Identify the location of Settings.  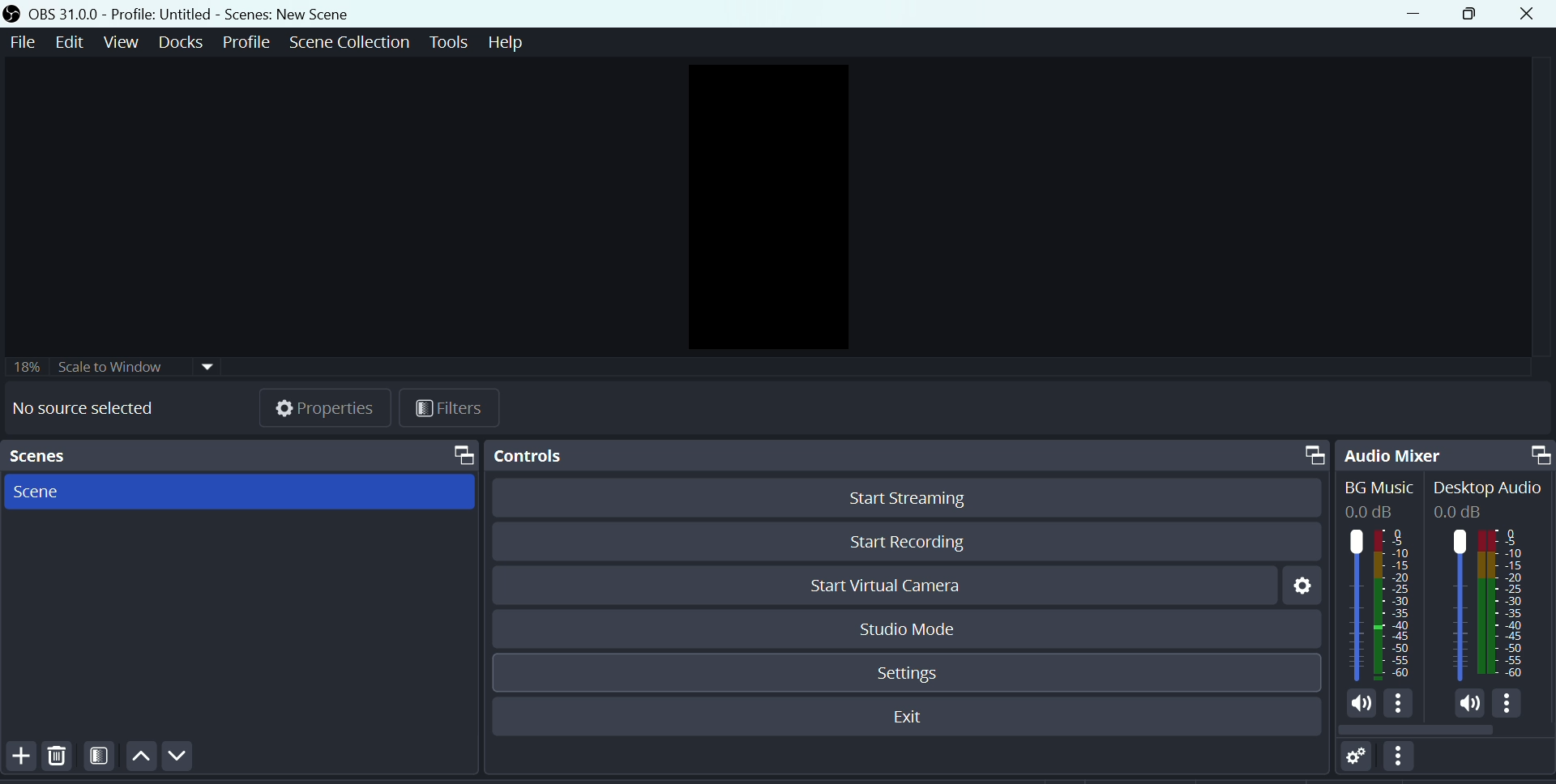
(1350, 762).